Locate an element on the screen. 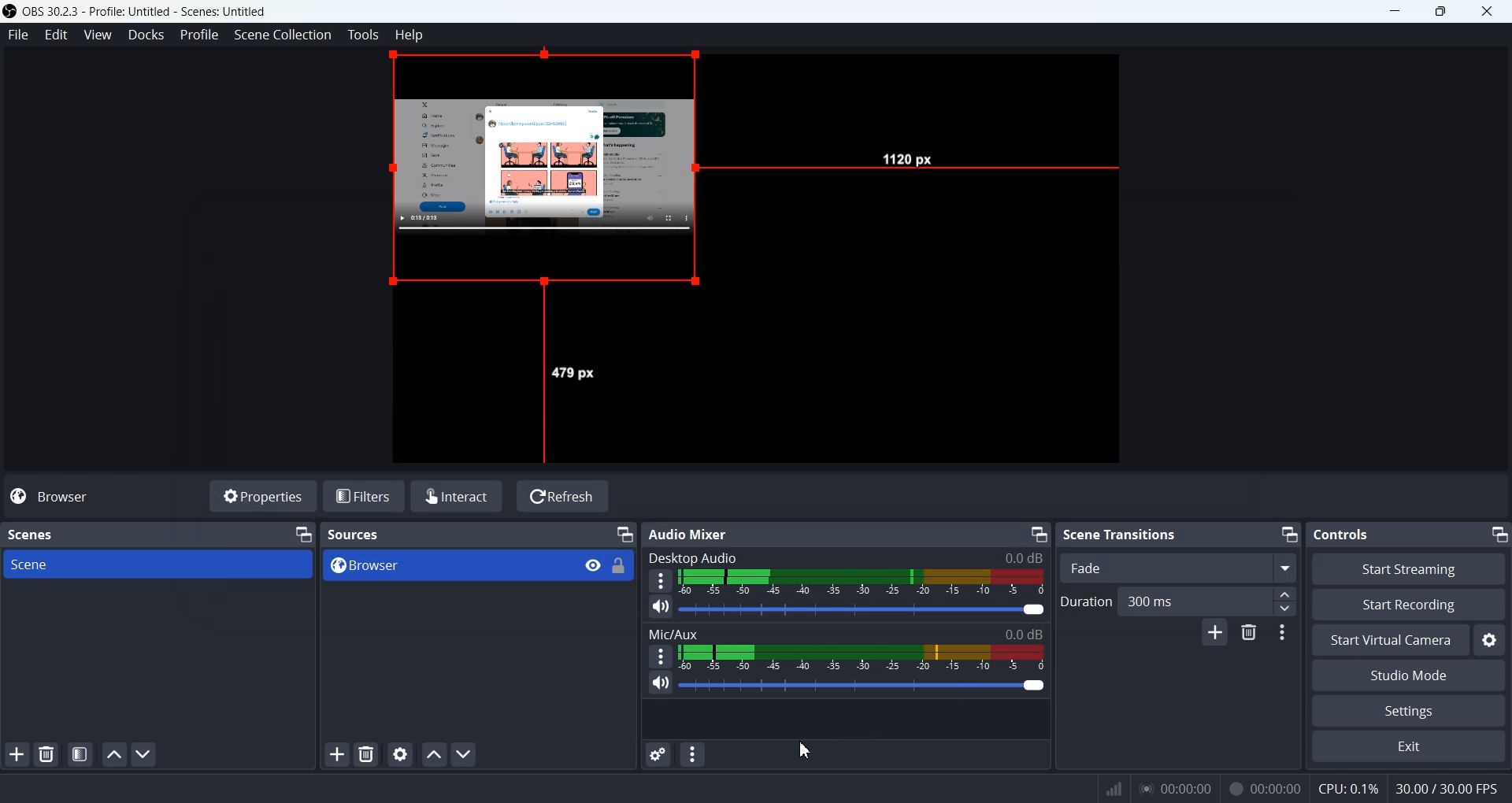 This screenshot has width=1512, height=803. Signals is located at coordinates (1109, 789).